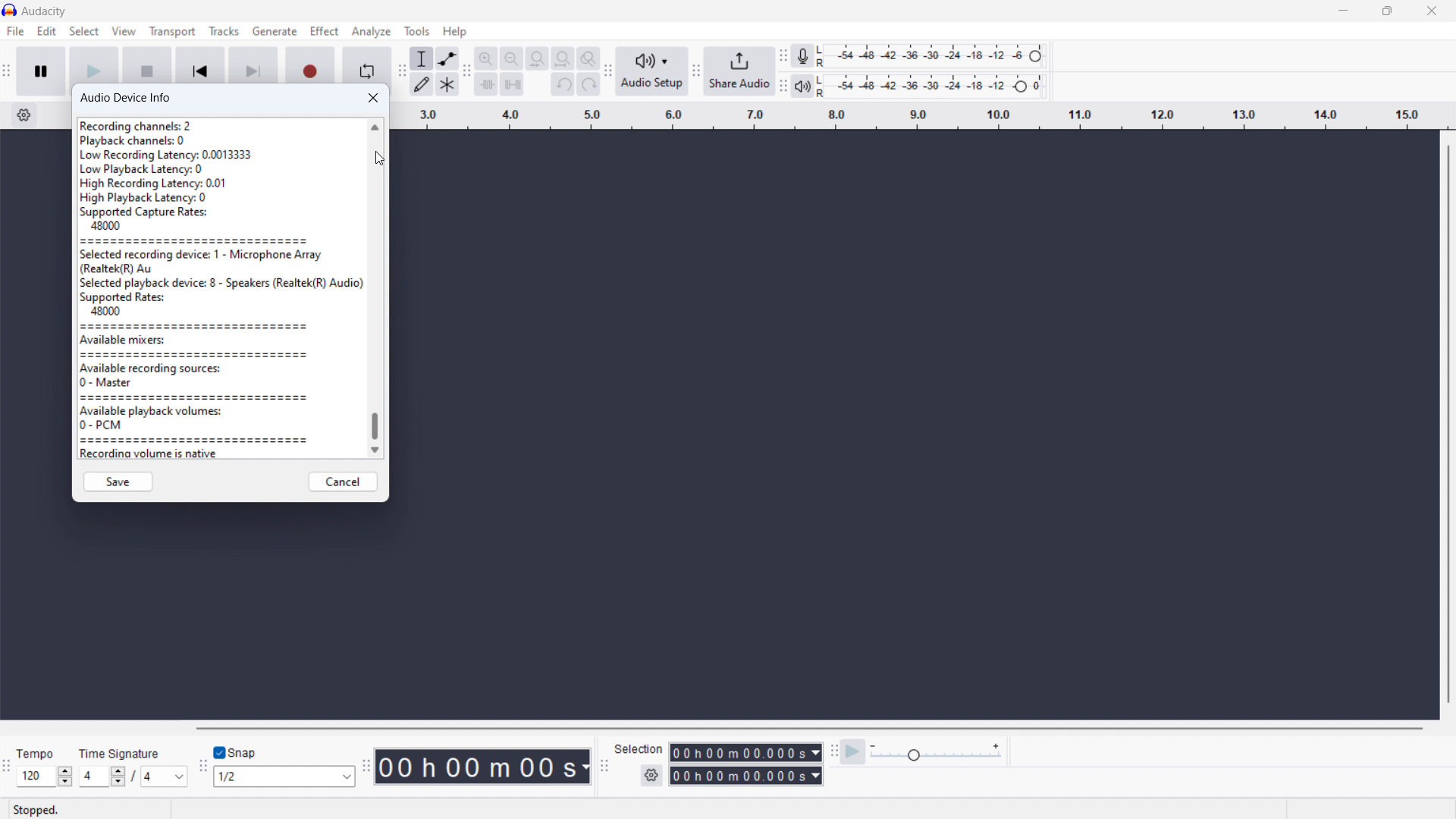 Image resolution: width=1456 pixels, height=819 pixels. I want to click on save, so click(116, 482).